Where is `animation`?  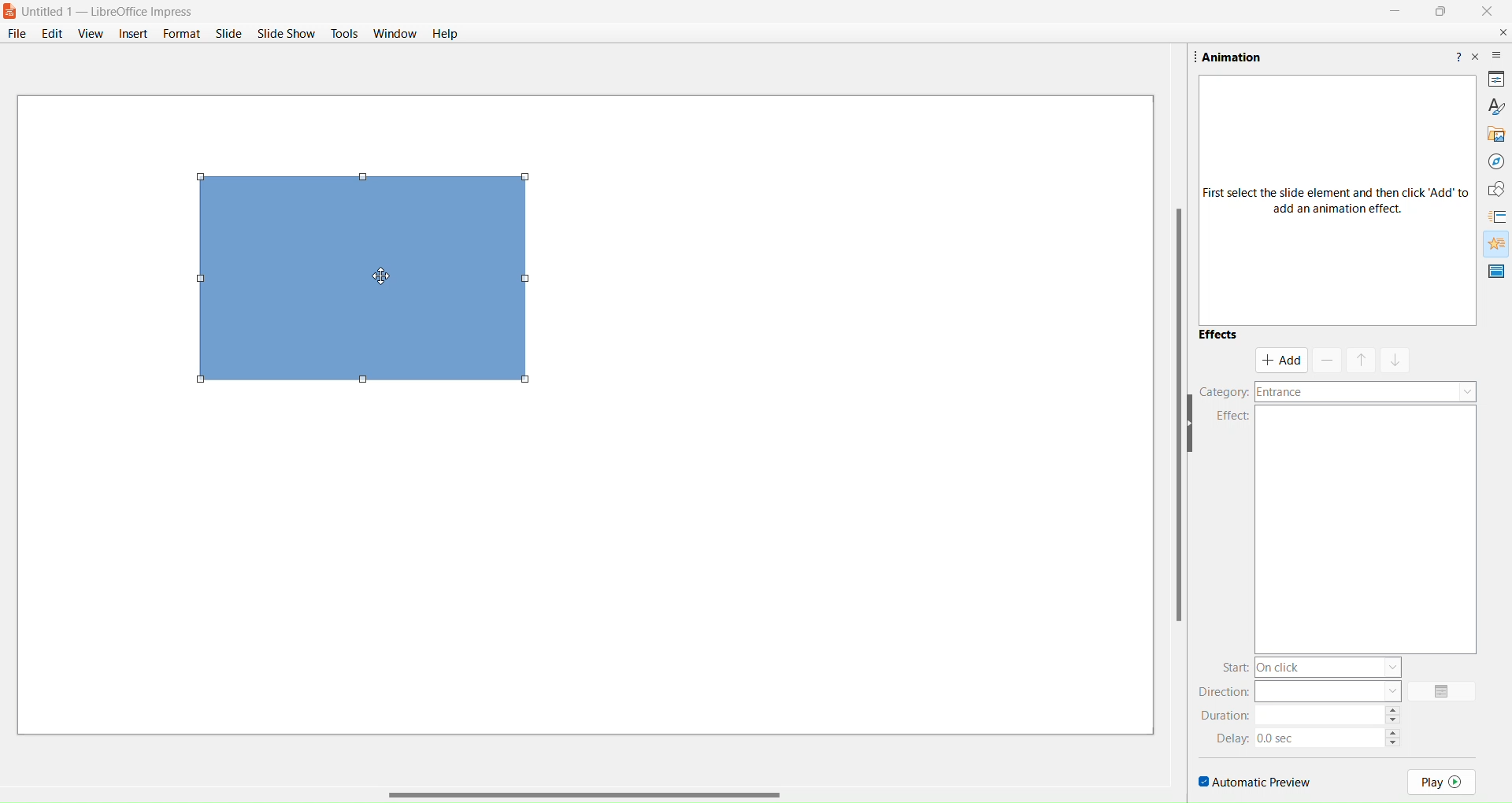
animation is located at coordinates (1493, 243).